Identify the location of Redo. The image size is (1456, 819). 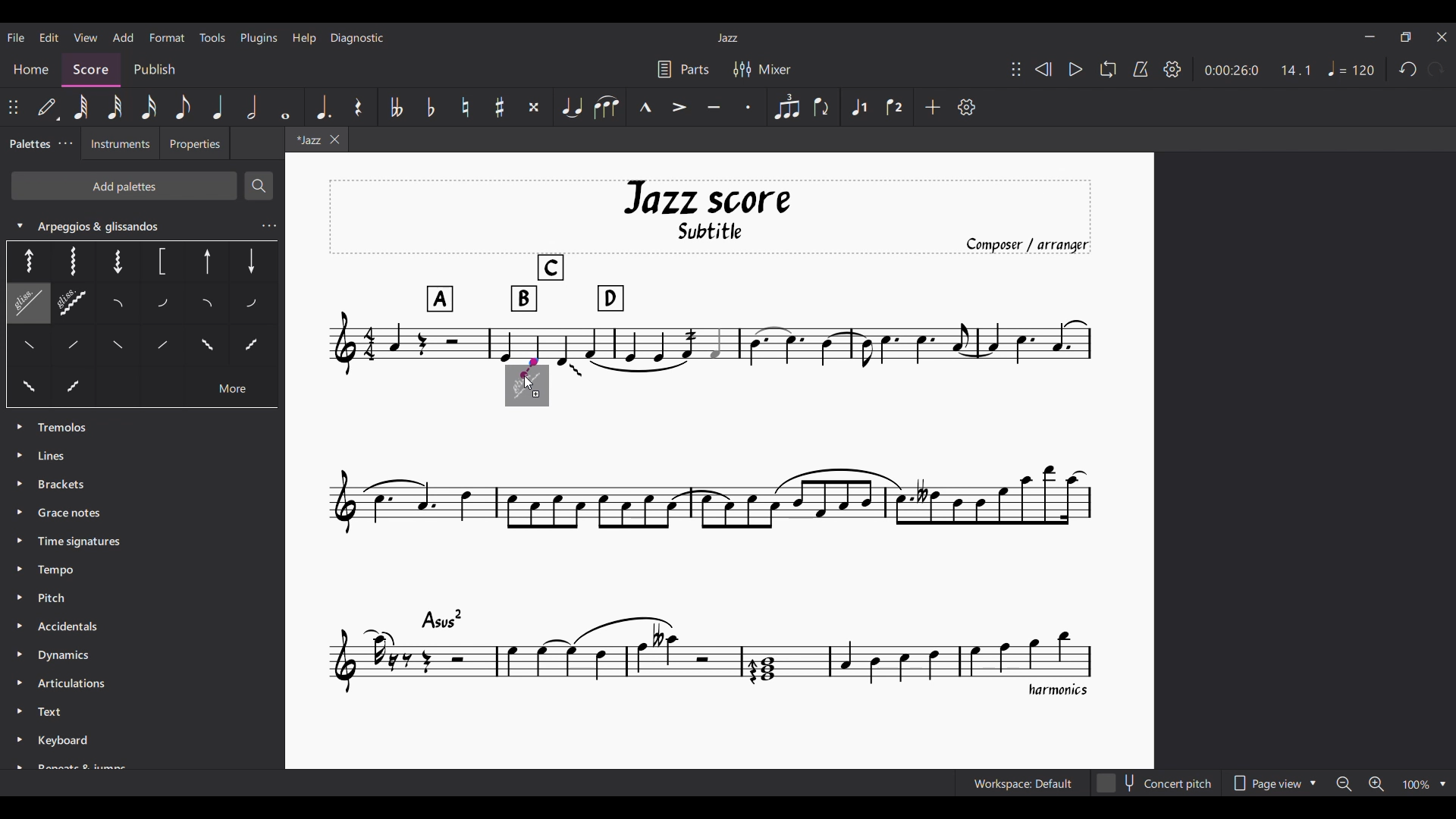
(1436, 69).